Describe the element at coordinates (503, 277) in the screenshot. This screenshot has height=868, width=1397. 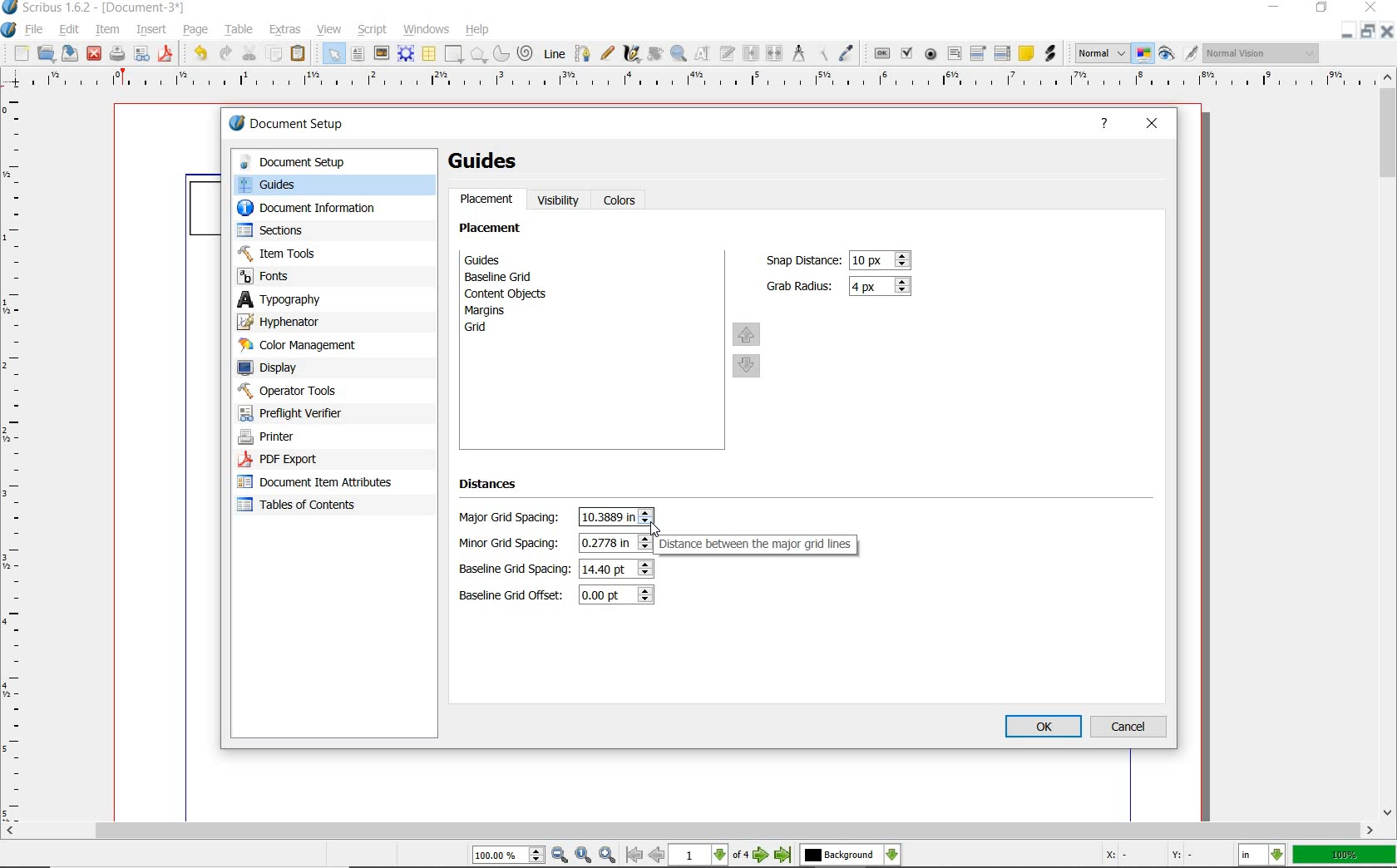
I see `baseline grid` at that location.